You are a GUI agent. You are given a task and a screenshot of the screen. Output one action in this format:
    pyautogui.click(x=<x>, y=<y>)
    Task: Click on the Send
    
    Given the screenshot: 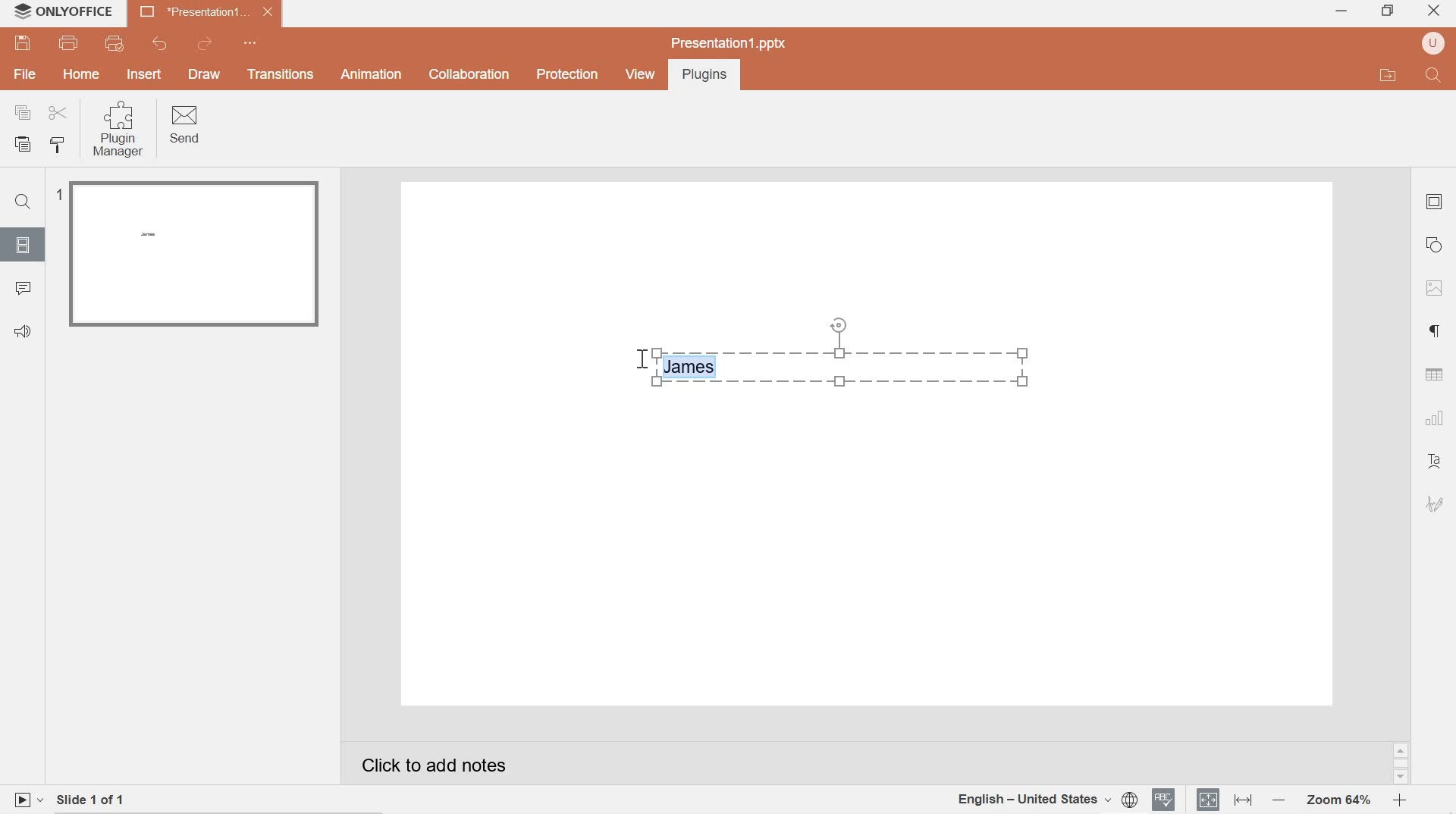 What is the action you would take?
    pyautogui.click(x=187, y=126)
    